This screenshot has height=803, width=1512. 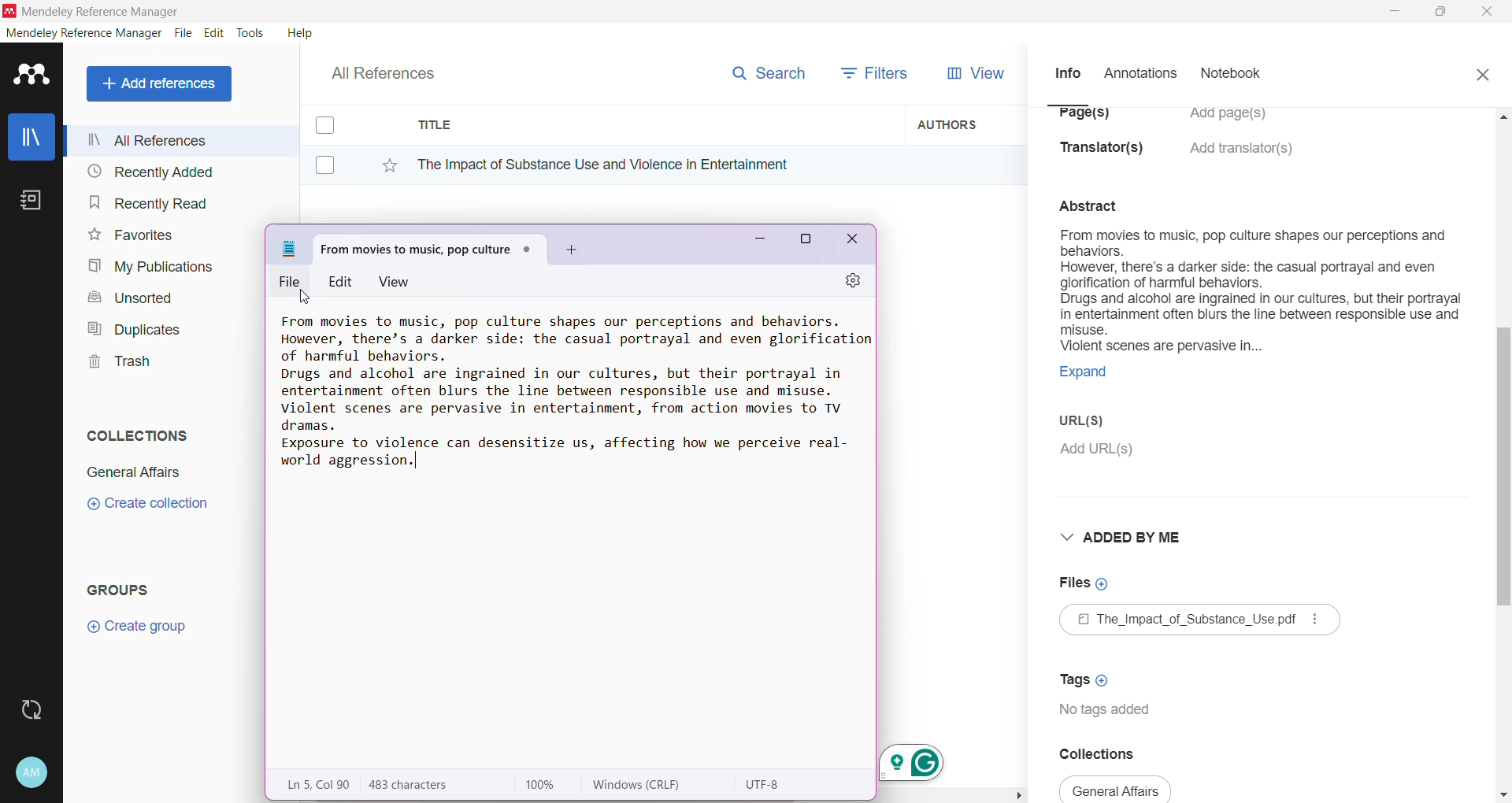 I want to click on Click to Add translators, so click(x=1243, y=157).